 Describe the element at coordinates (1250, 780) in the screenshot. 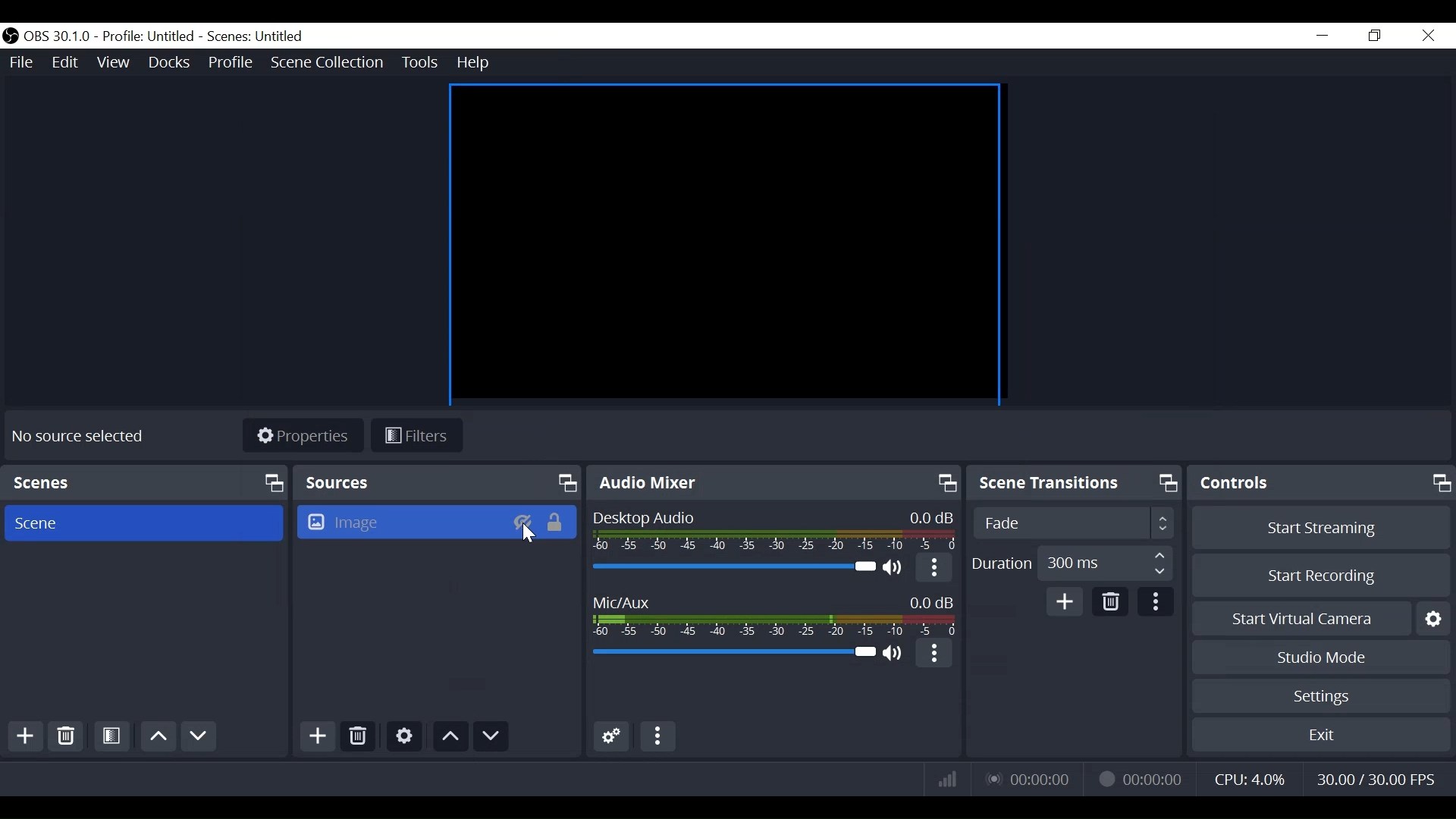

I see `CPU Usage` at that location.